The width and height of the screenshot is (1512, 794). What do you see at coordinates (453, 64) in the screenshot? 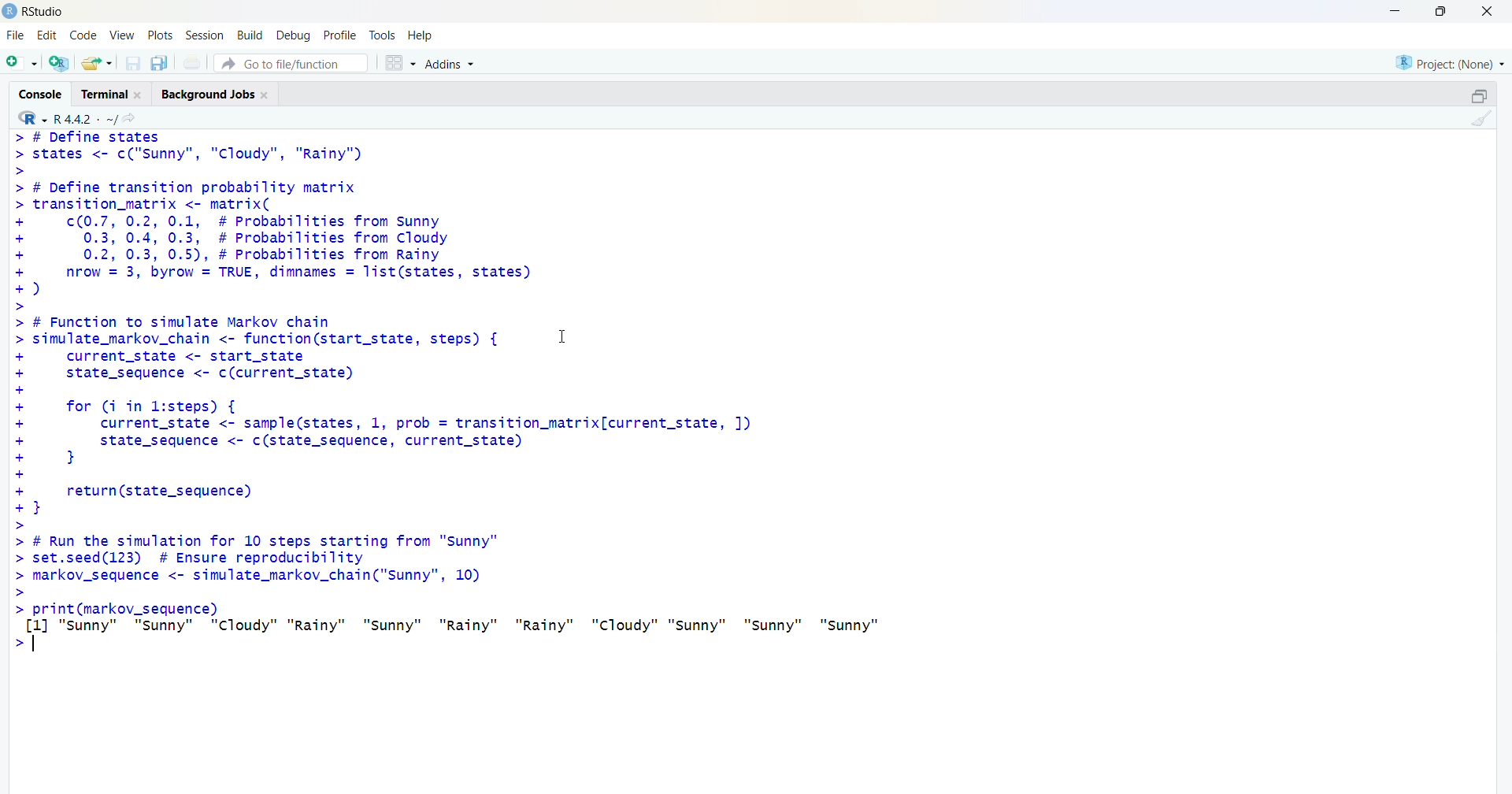
I see `addins` at bounding box center [453, 64].